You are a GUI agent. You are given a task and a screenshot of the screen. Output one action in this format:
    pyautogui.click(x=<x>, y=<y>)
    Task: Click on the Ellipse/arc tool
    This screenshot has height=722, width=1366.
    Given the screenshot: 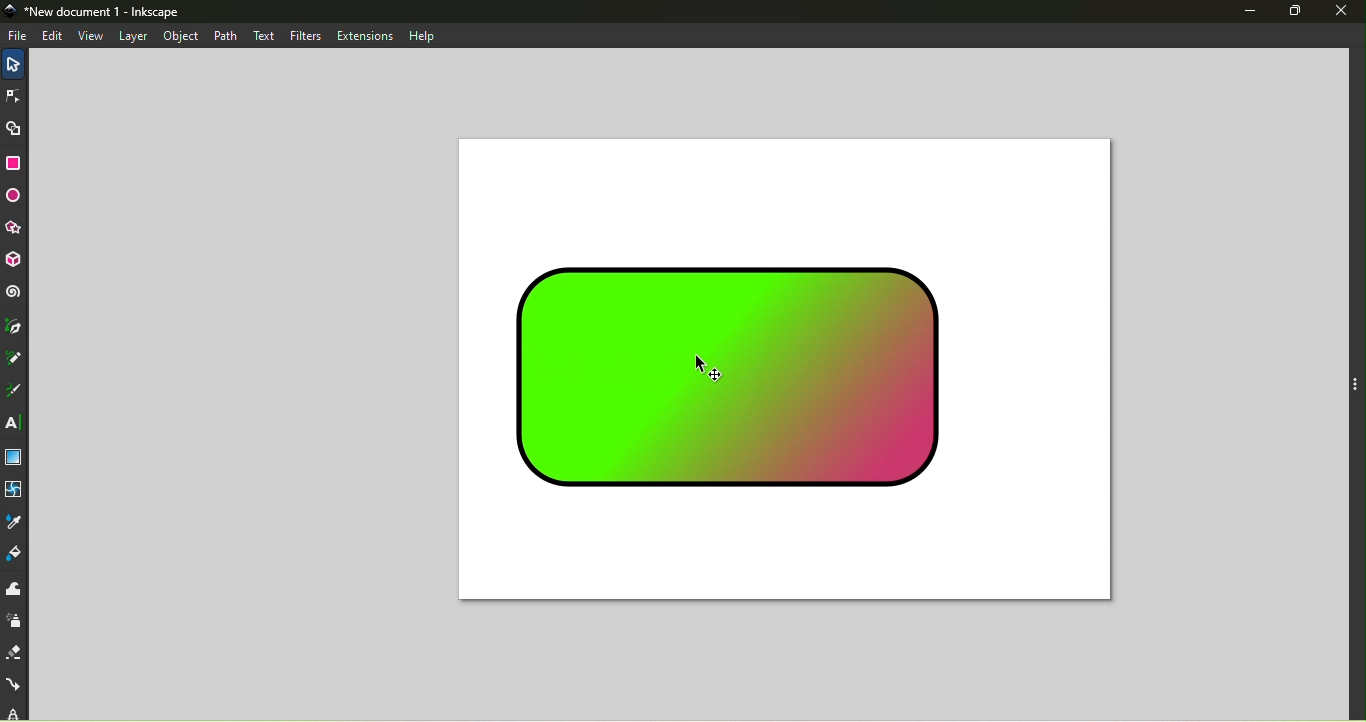 What is the action you would take?
    pyautogui.click(x=16, y=197)
    